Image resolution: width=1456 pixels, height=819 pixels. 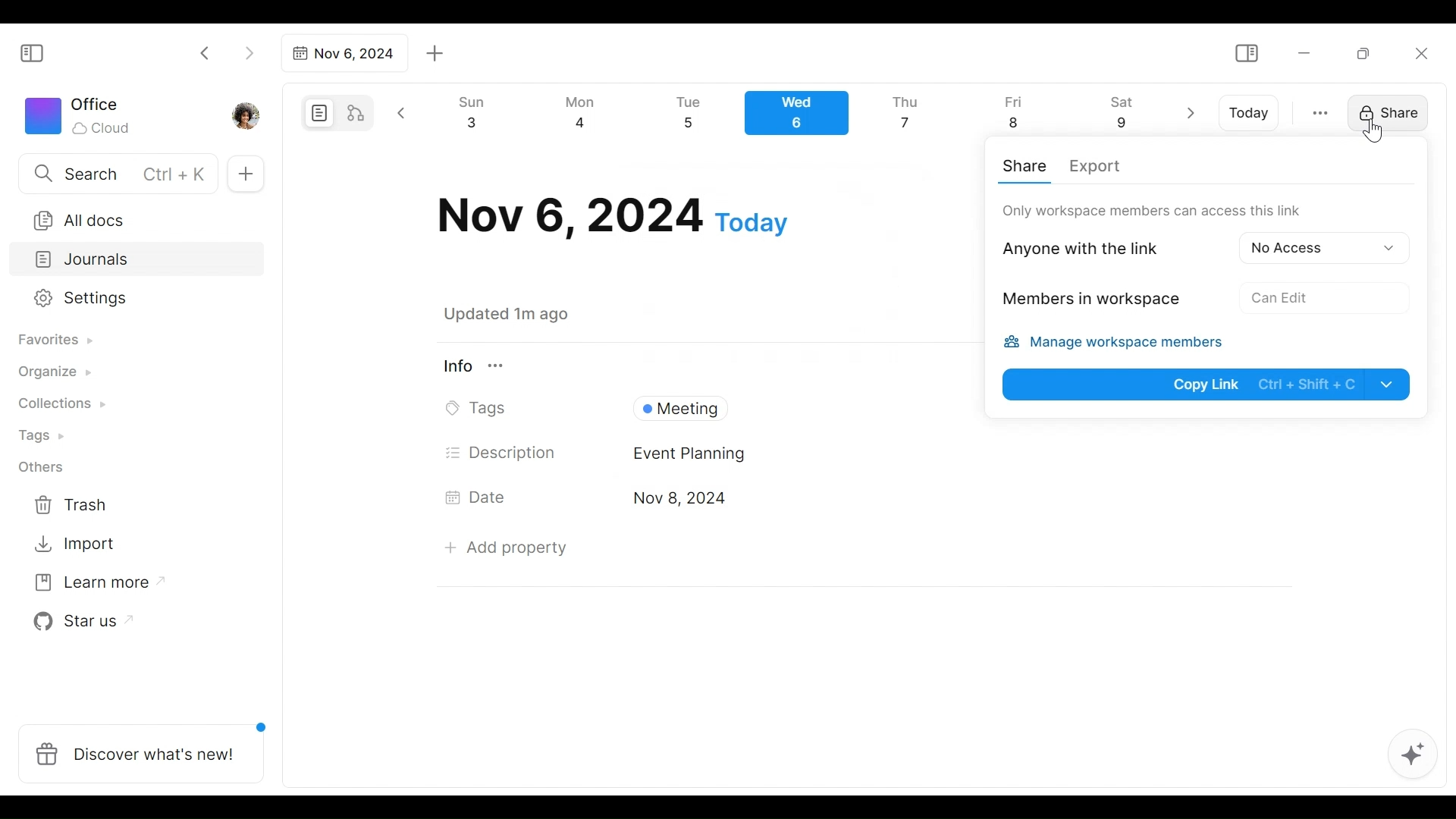 What do you see at coordinates (1376, 130) in the screenshot?
I see `cursor` at bounding box center [1376, 130].